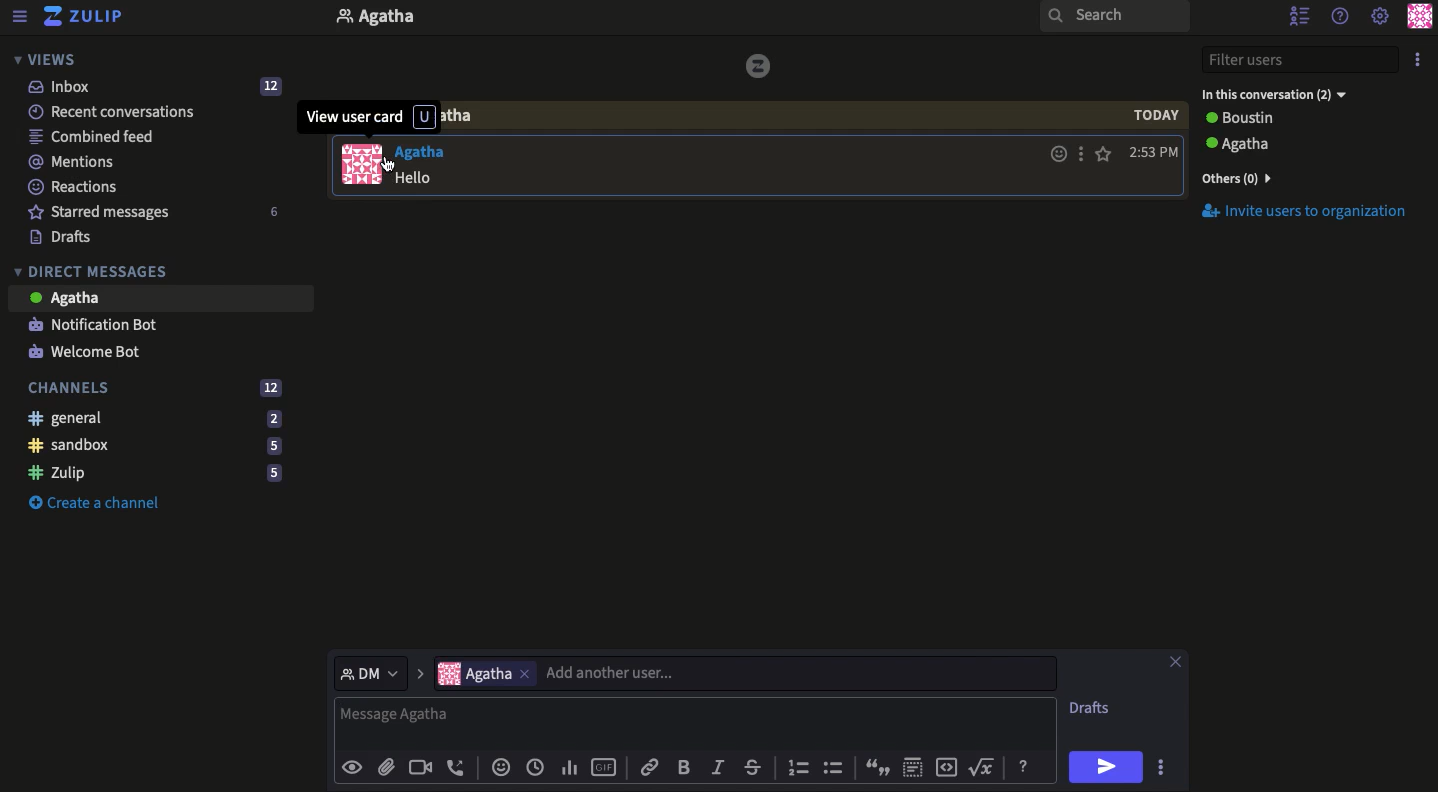  Describe the element at coordinates (389, 166) in the screenshot. I see `cursor` at that location.